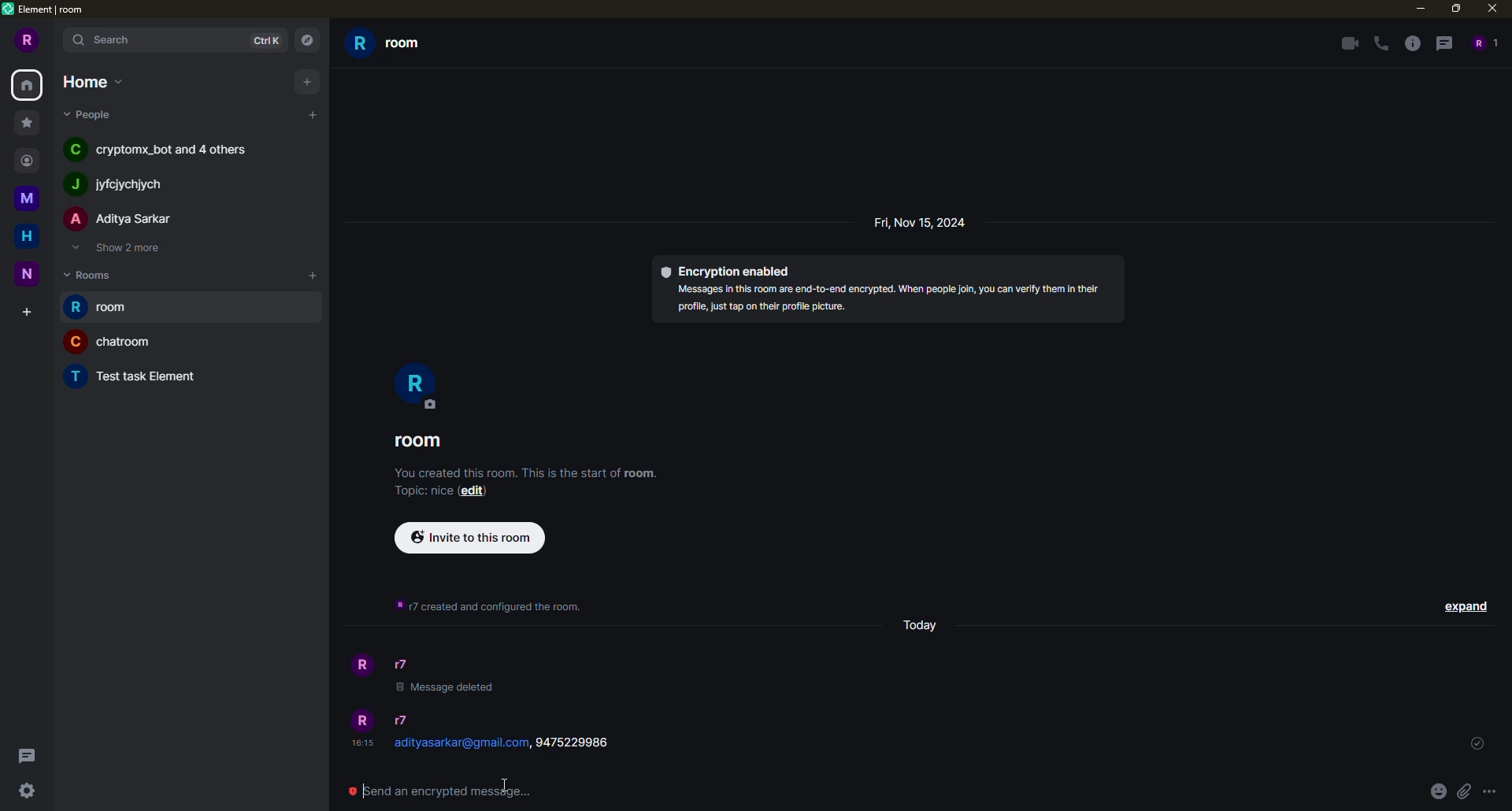  What do you see at coordinates (137, 376) in the screenshot?
I see `room` at bounding box center [137, 376].